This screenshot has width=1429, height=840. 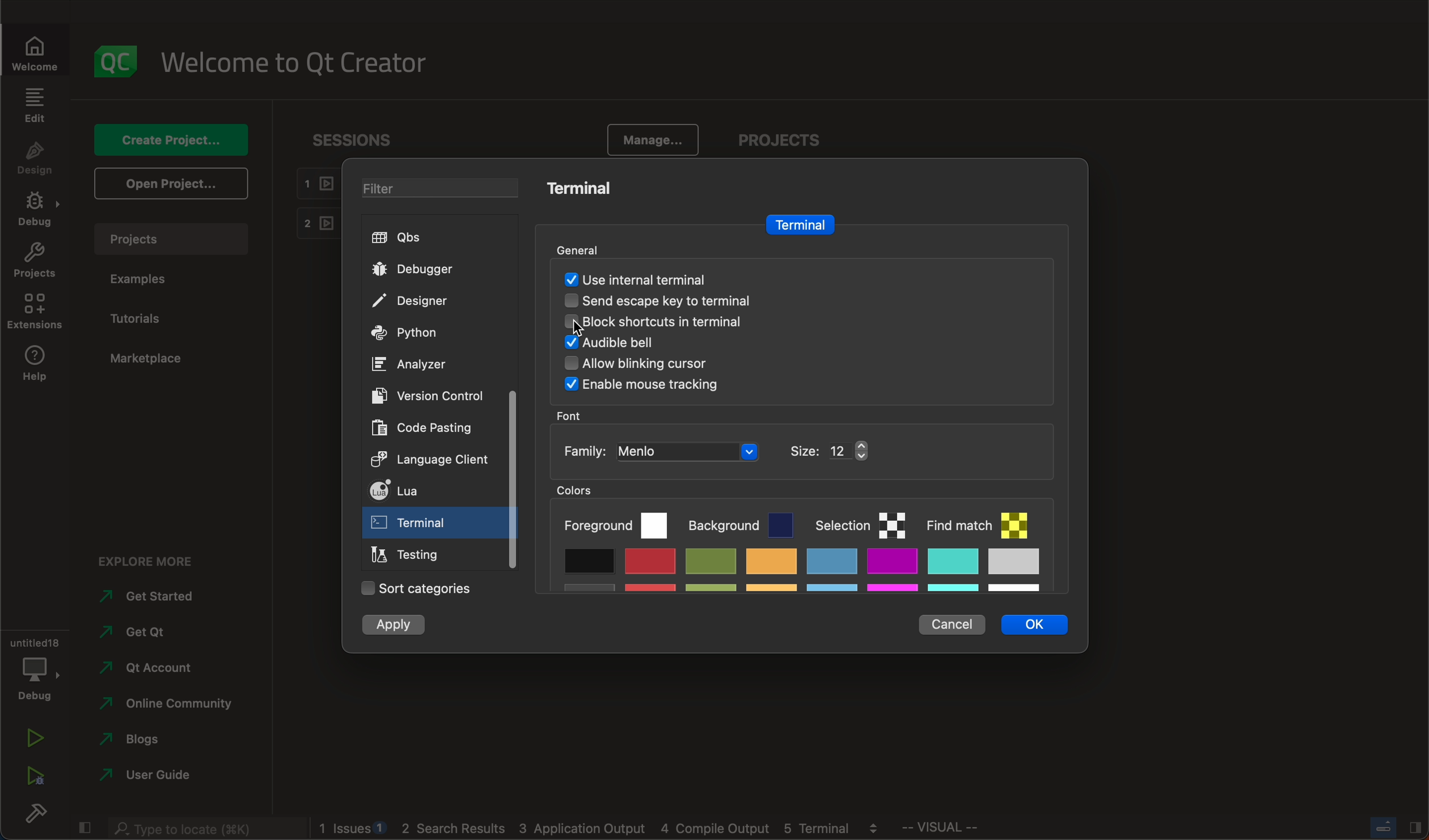 I want to click on version, so click(x=434, y=394).